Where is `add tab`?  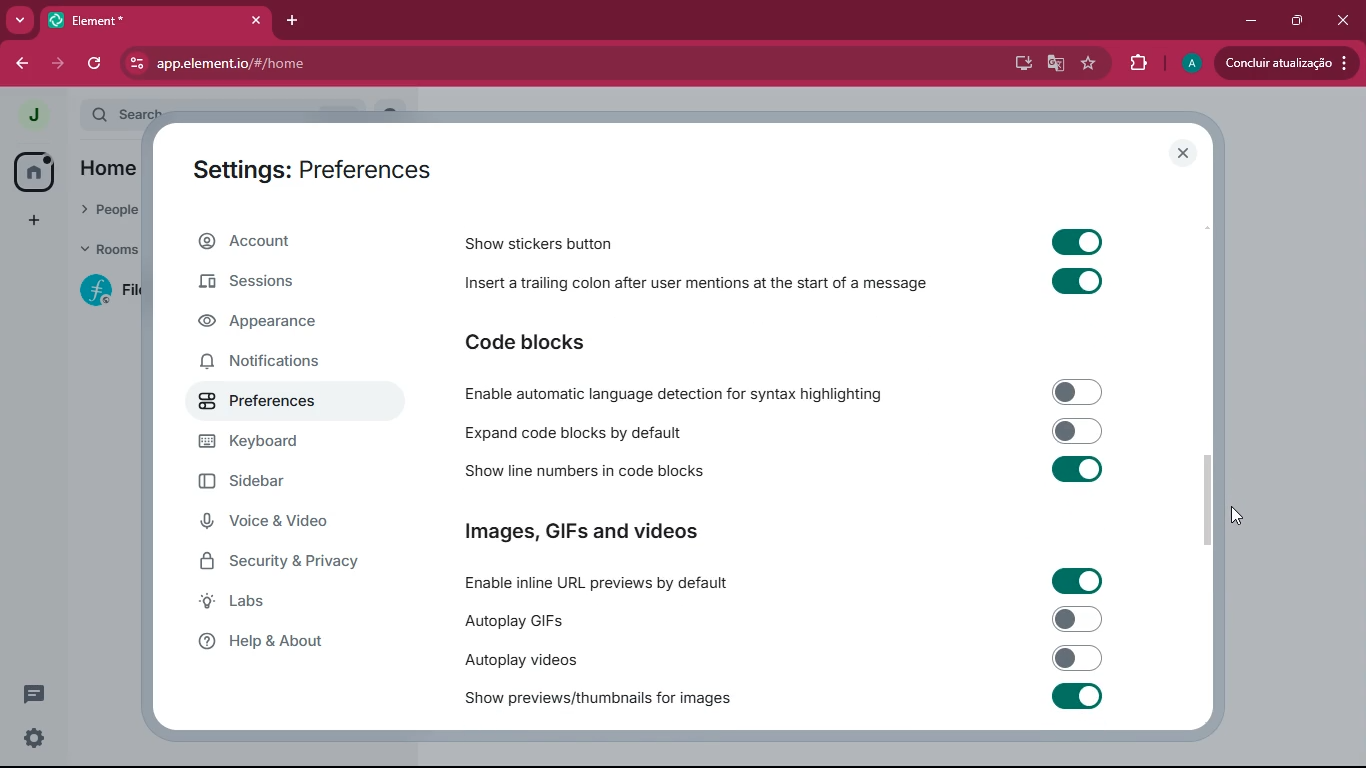 add tab is located at coordinates (299, 19).